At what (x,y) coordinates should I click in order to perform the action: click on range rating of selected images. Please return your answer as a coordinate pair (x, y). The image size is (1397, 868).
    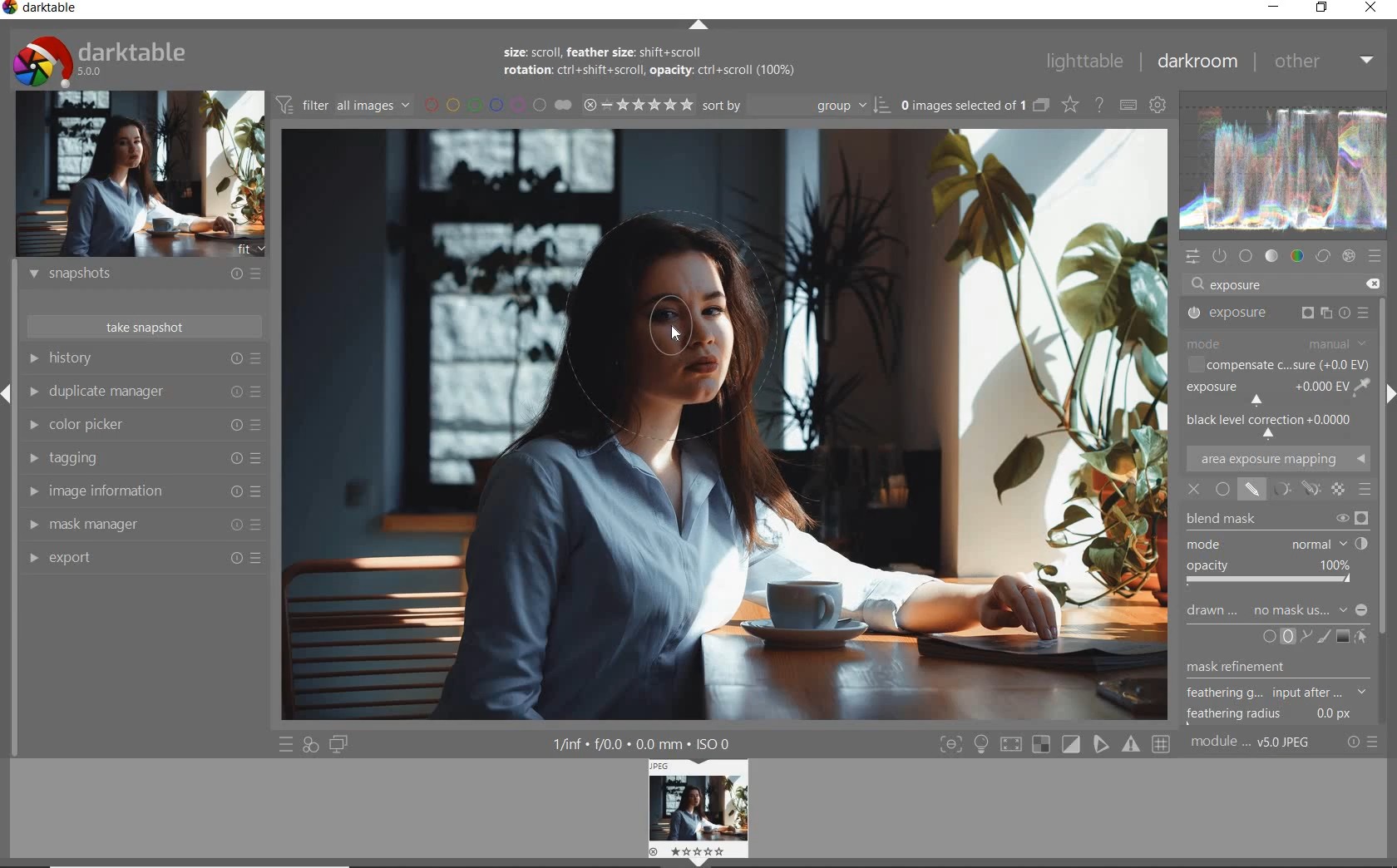
    Looking at the image, I should click on (638, 105).